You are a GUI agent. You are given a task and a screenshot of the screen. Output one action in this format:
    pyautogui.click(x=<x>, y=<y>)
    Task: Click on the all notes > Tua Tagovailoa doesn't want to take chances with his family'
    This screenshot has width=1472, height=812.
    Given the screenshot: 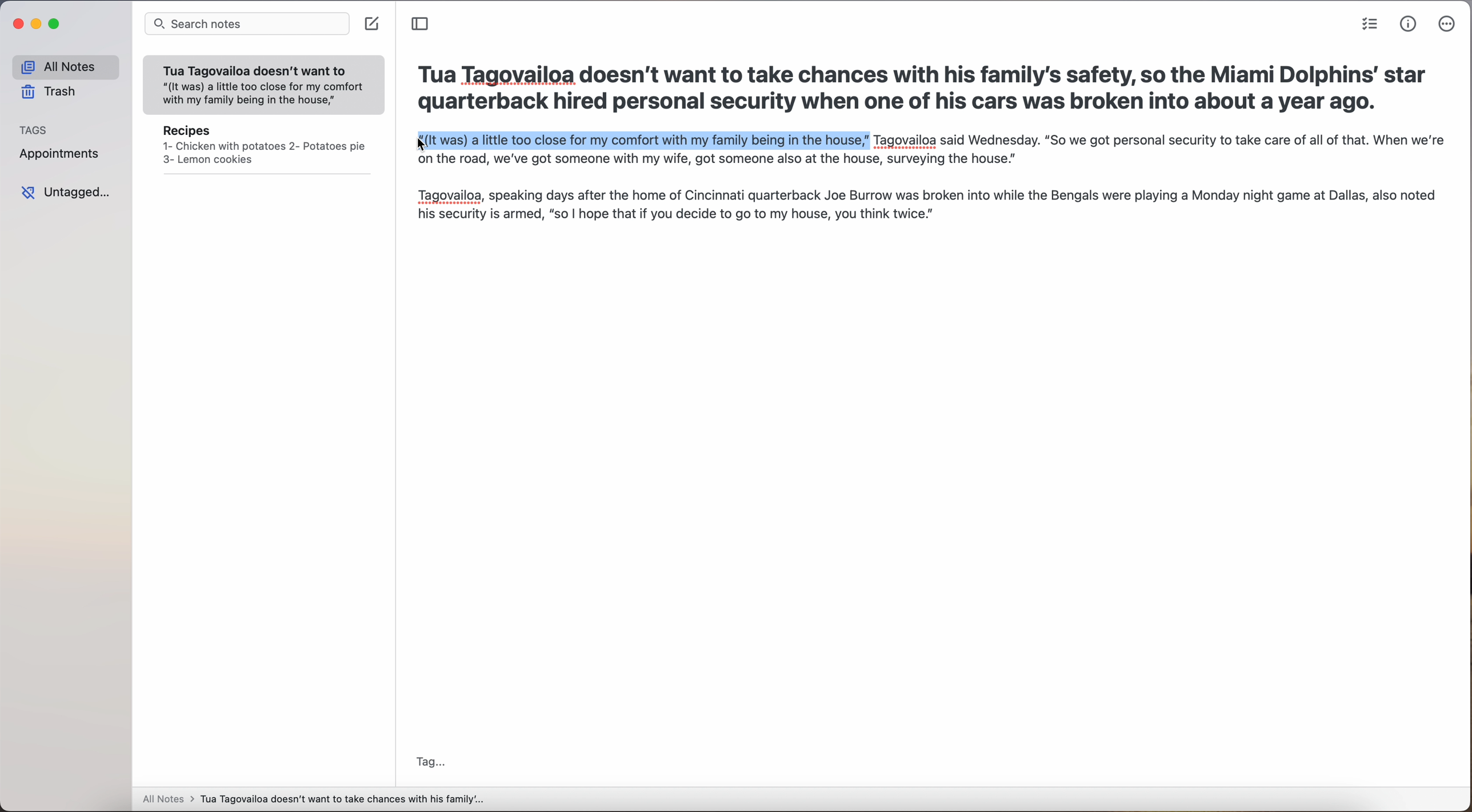 What is the action you would take?
    pyautogui.click(x=314, y=801)
    